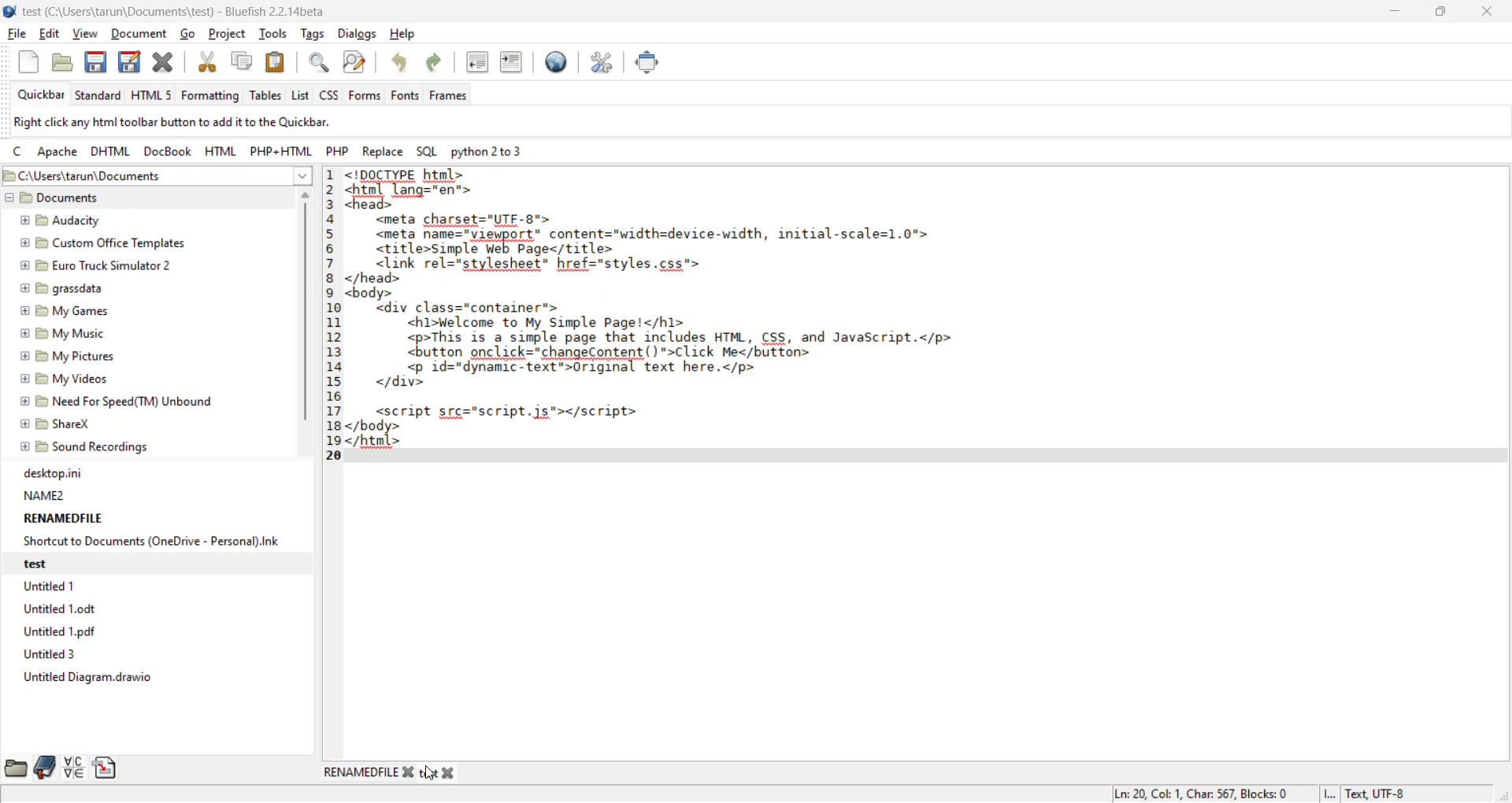 Image resolution: width=1512 pixels, height=803 pixels. I want to click on Untitled 1.0dt, so click(73, 608).